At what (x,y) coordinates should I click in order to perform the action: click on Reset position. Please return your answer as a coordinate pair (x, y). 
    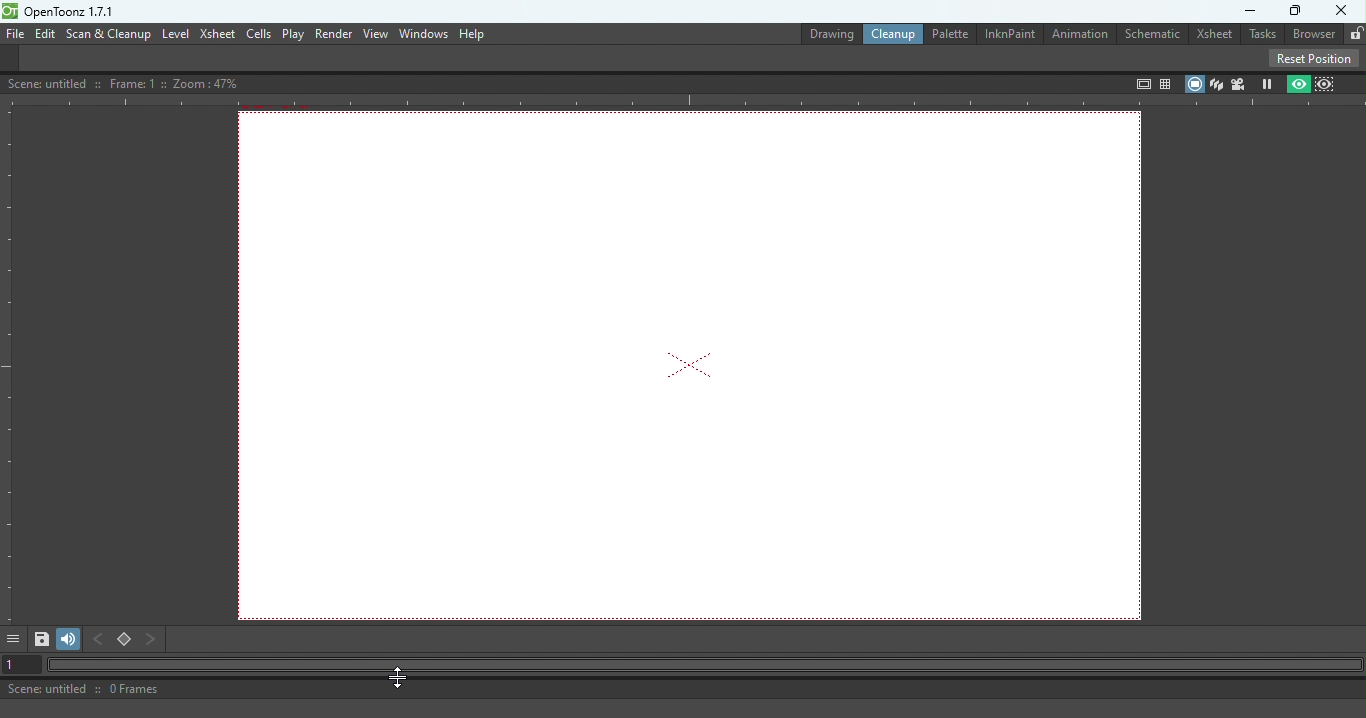
    Looking at the image, I should click on (1317, 57).